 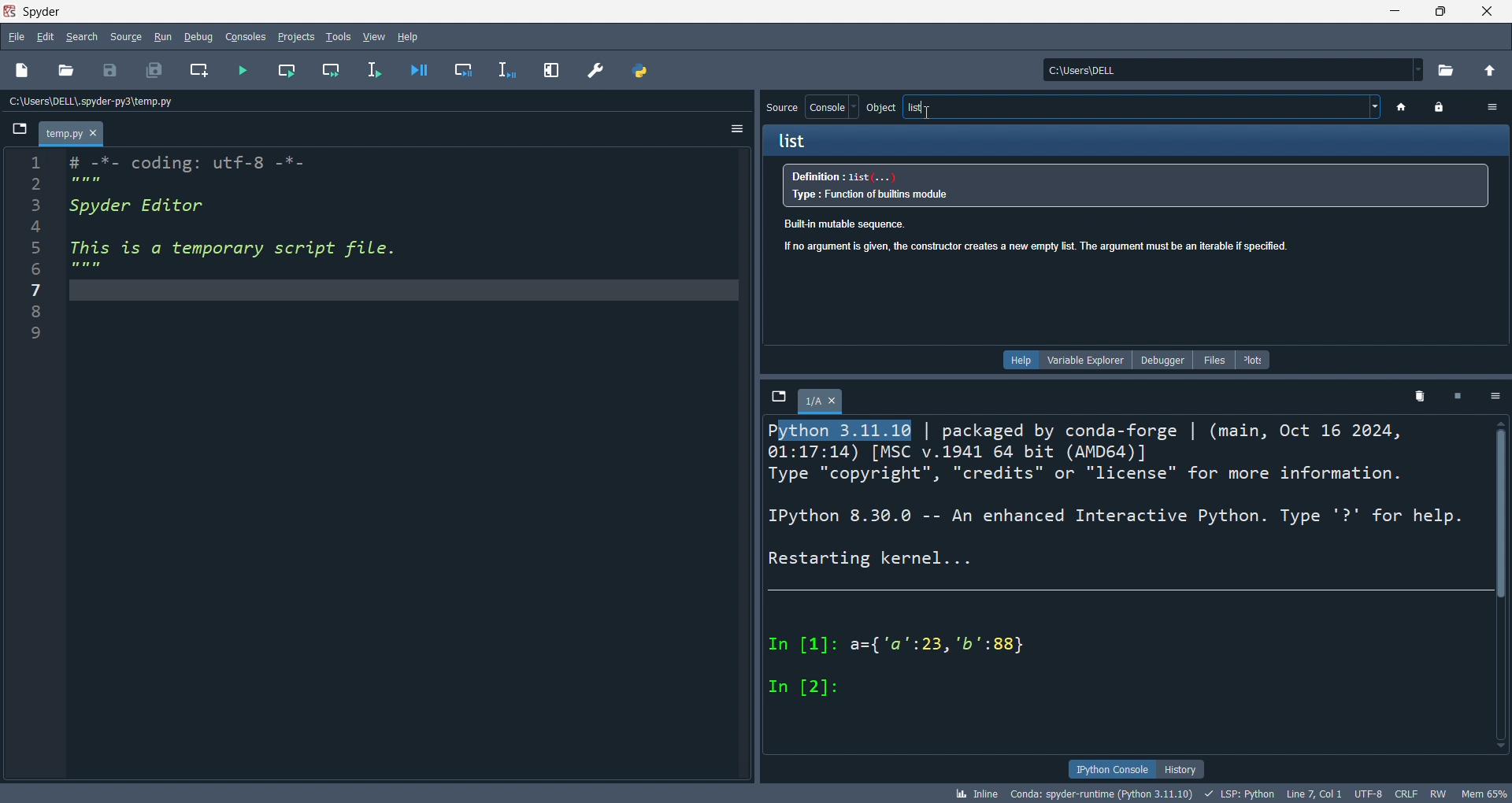 I want to click on maximize, so click(x=1440, y=13).